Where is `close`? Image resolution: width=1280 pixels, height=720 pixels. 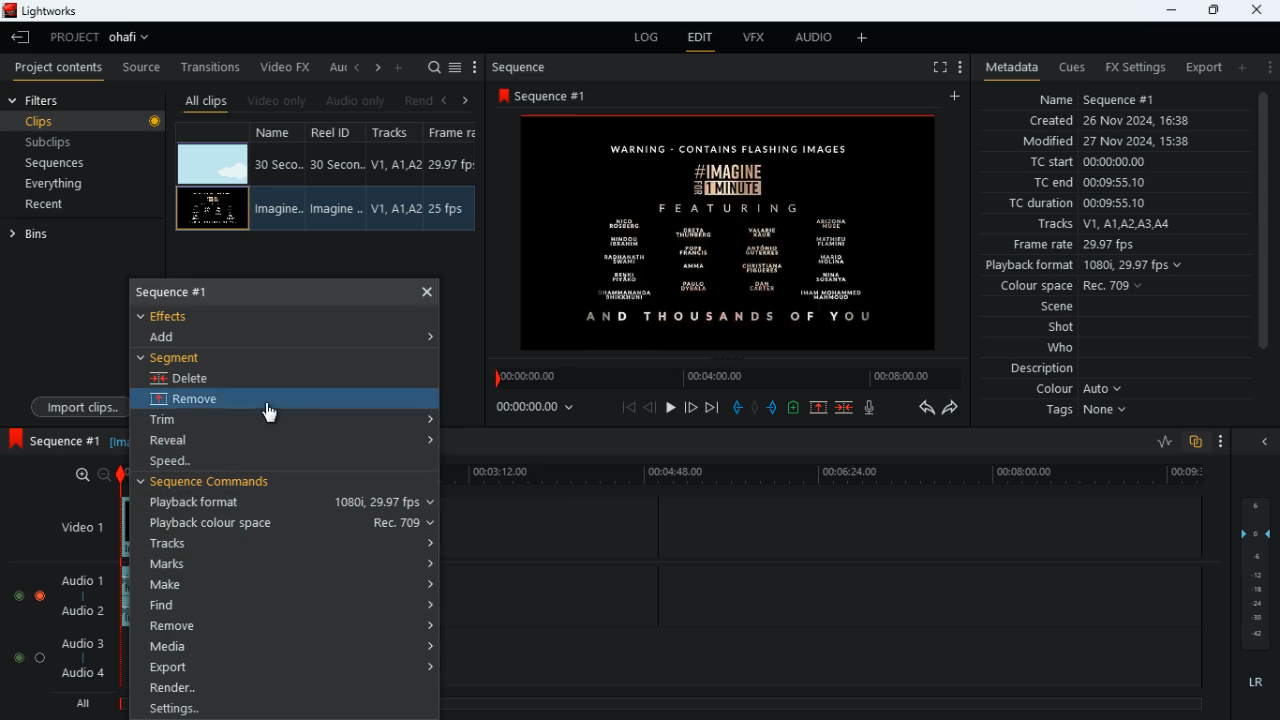 close is located at coordinates (1262, 441).